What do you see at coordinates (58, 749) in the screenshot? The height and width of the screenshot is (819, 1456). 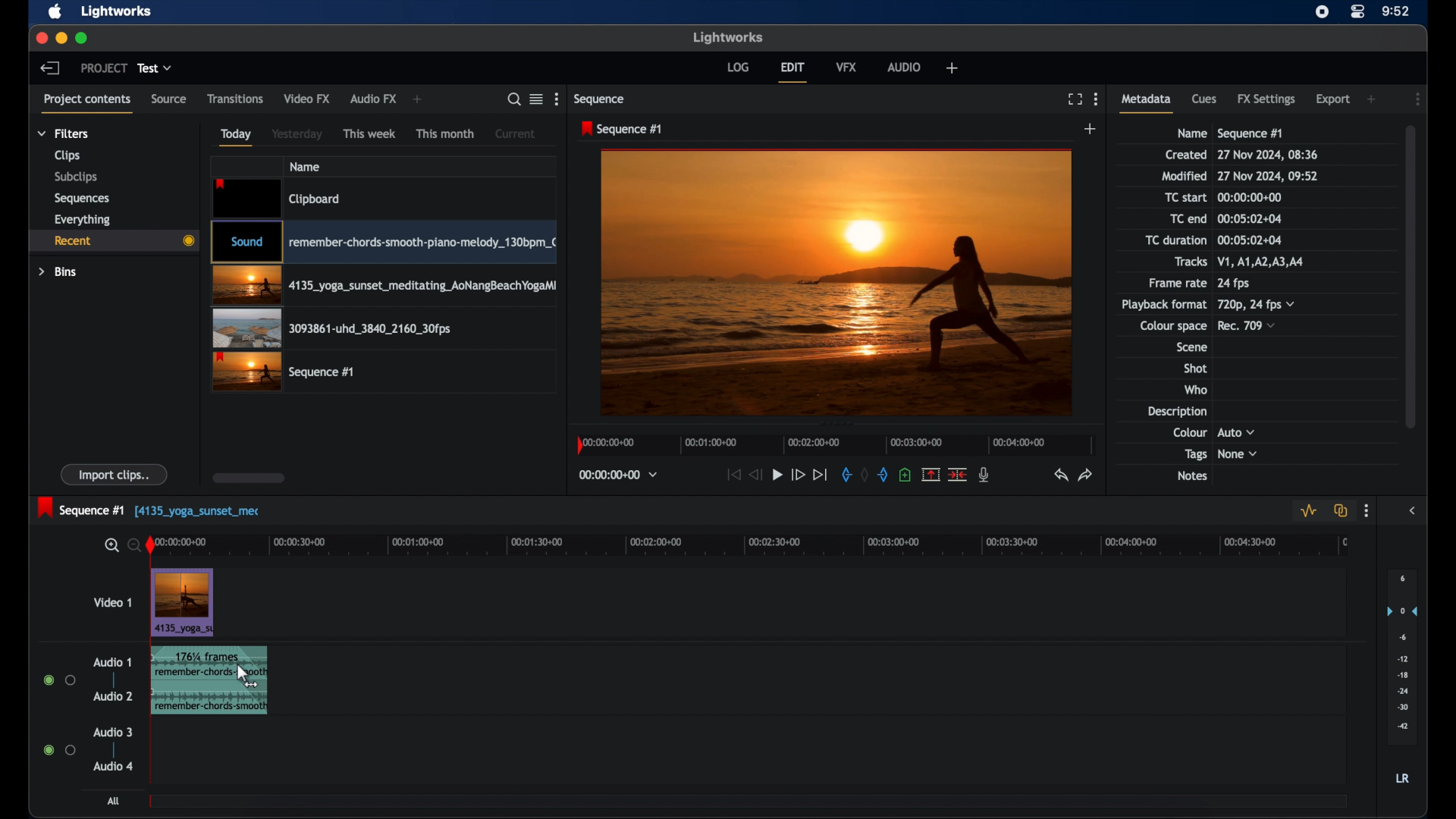 I see `radio buttons` at bounding box center [58, 749].